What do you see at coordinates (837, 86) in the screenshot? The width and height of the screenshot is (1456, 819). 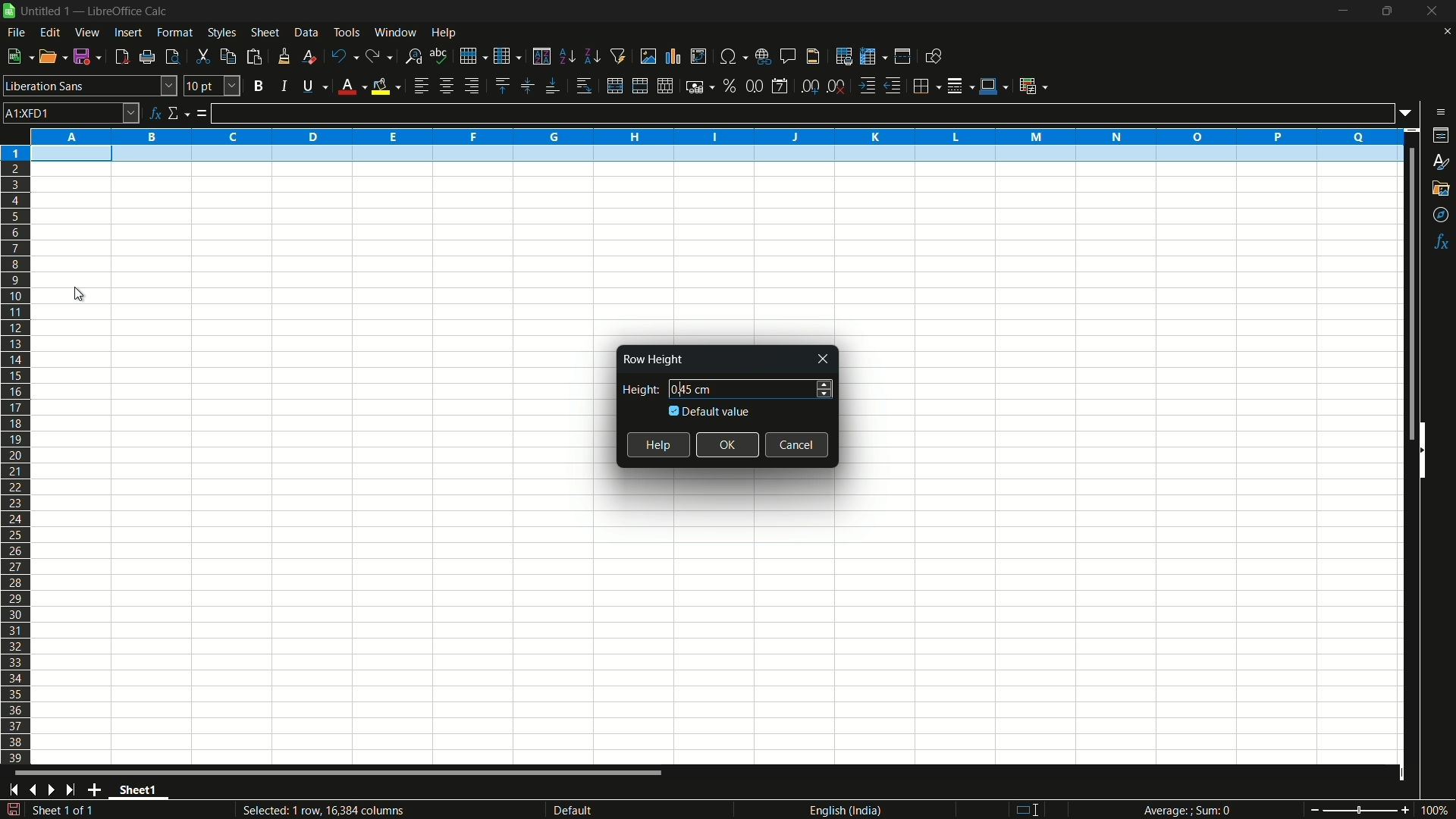 I see `delete decimal place` at bounding box center [837, 86].